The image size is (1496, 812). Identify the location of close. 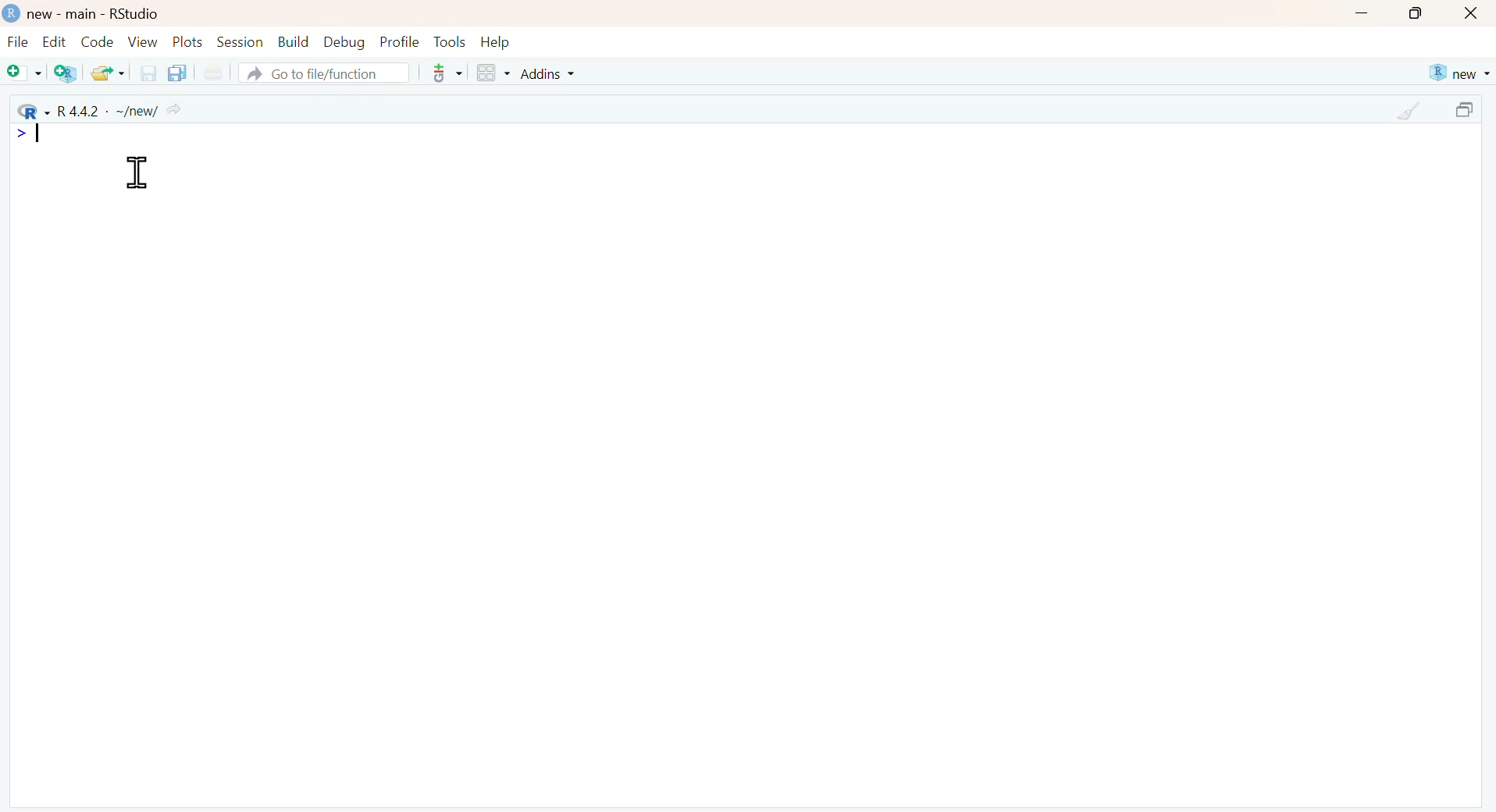
(1473, 14).